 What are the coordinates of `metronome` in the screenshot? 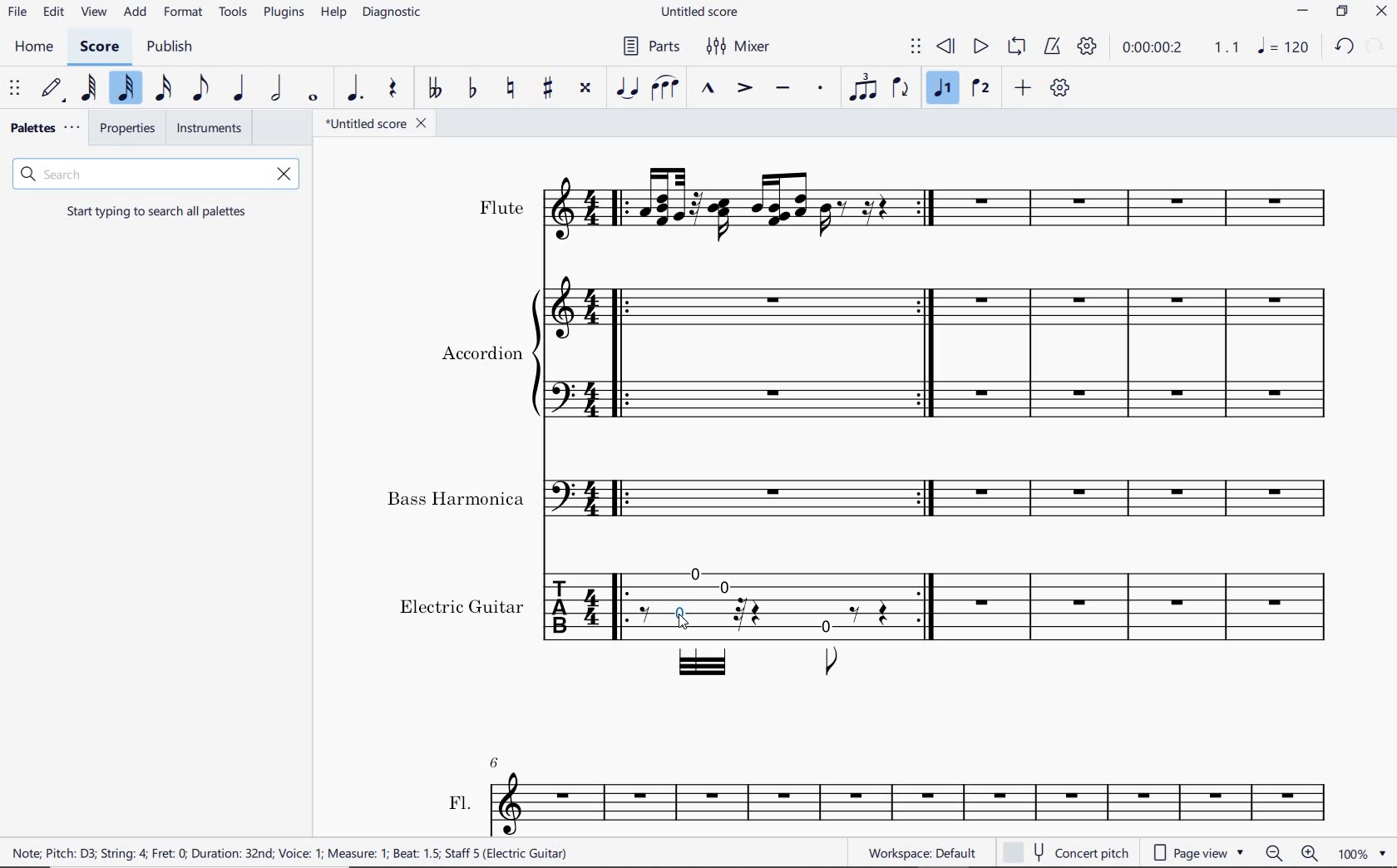 It's located at (1051, 46).